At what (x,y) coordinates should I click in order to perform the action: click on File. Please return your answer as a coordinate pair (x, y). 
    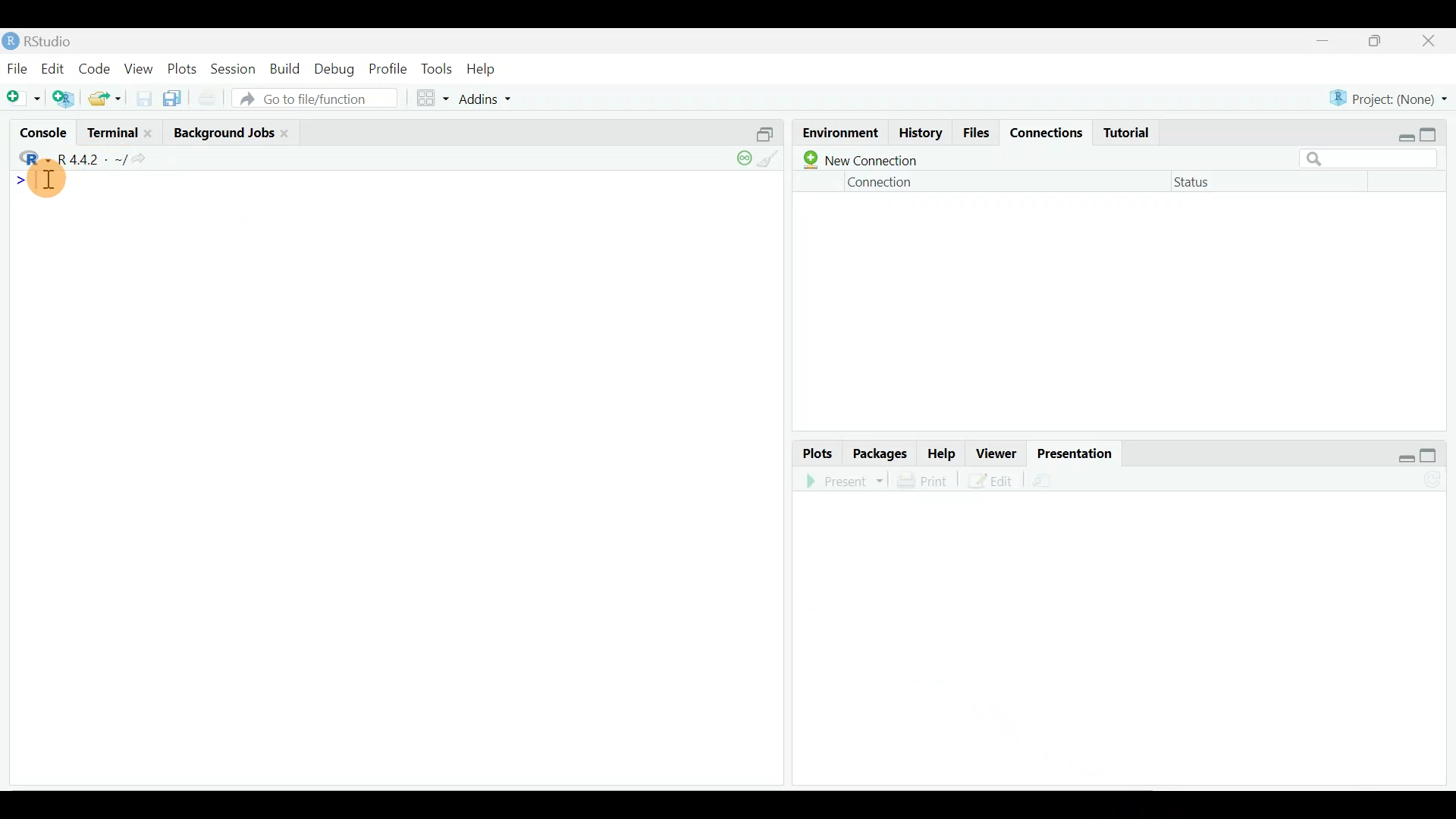
    Looking at the image, I should click on (17, 67).